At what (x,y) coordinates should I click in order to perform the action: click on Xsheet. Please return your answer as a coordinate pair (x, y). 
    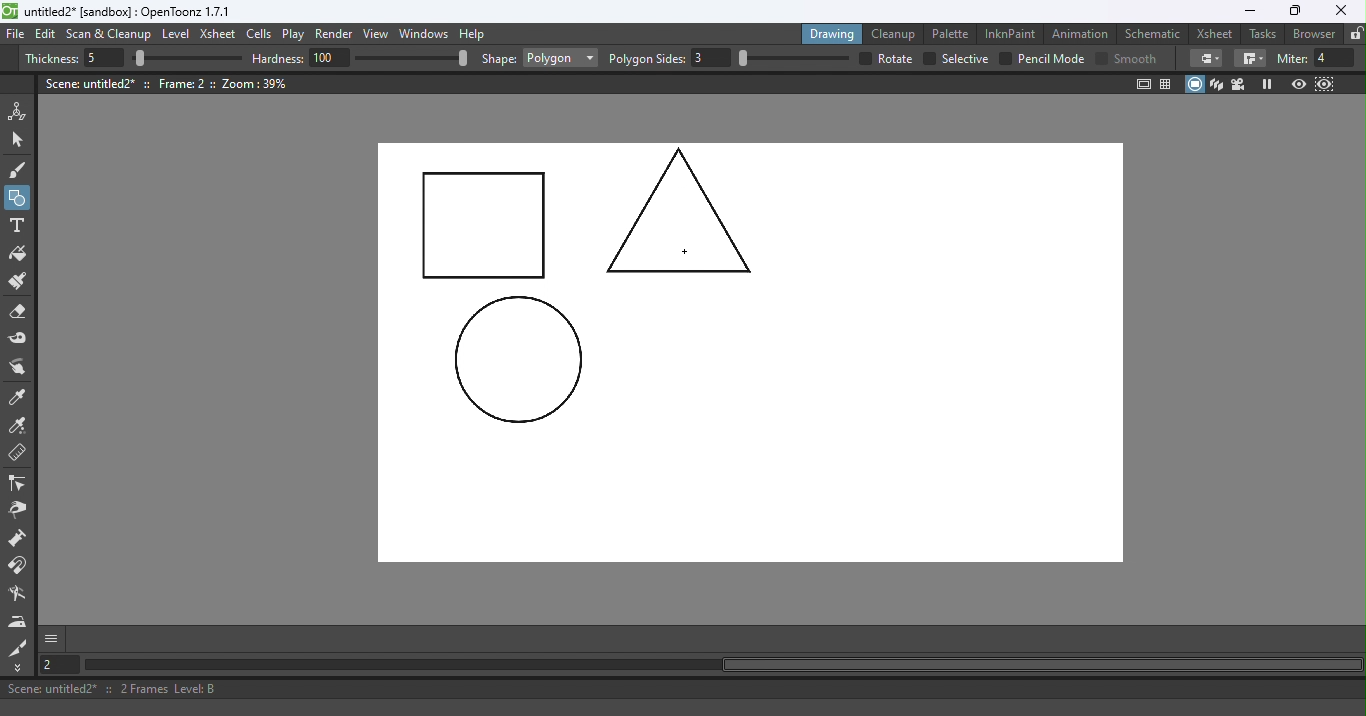
    Looking at the image, I should click on (1217, 33).